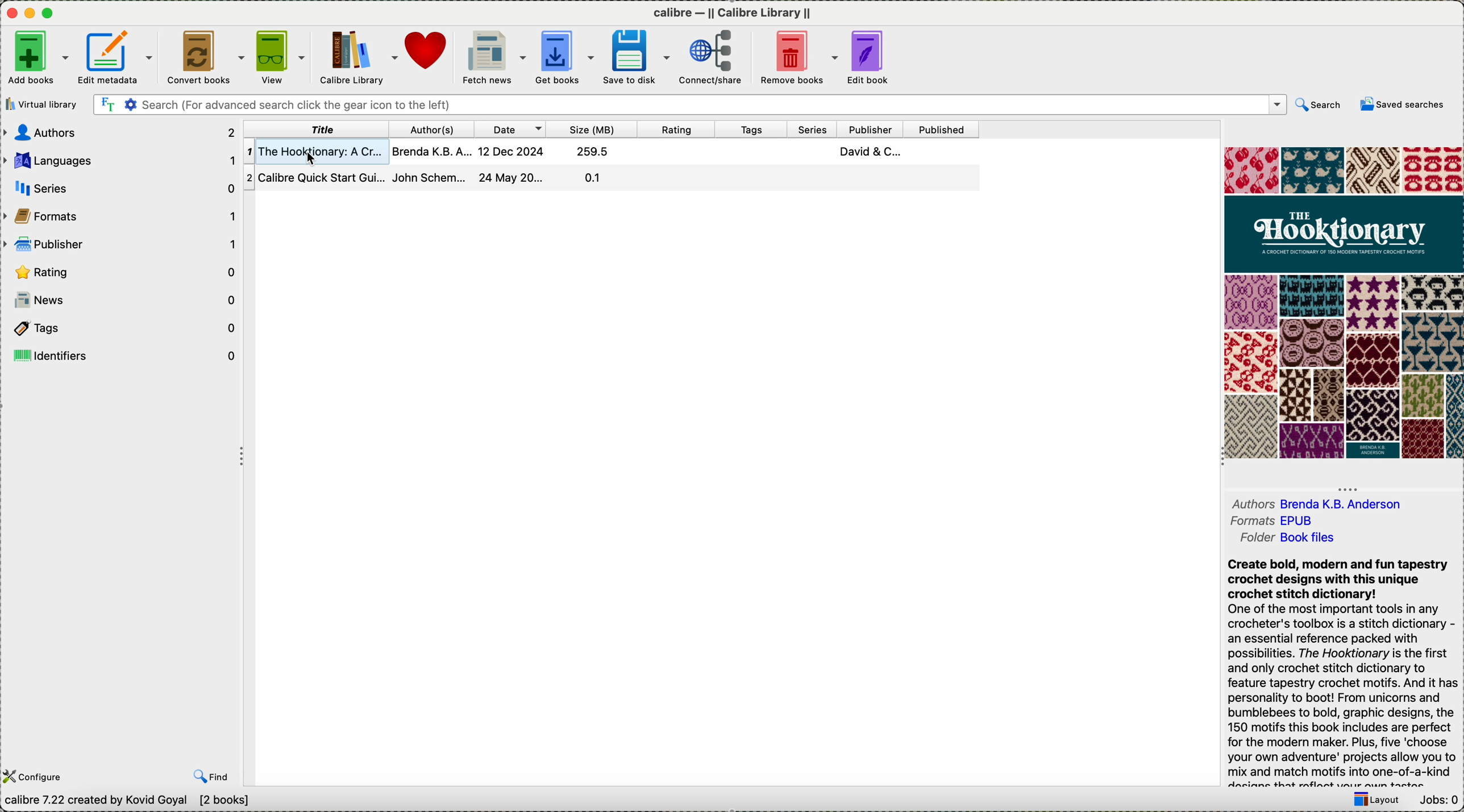  Describe the element at coordinates (510, 129) in the screenshot. I see `date` at that location.